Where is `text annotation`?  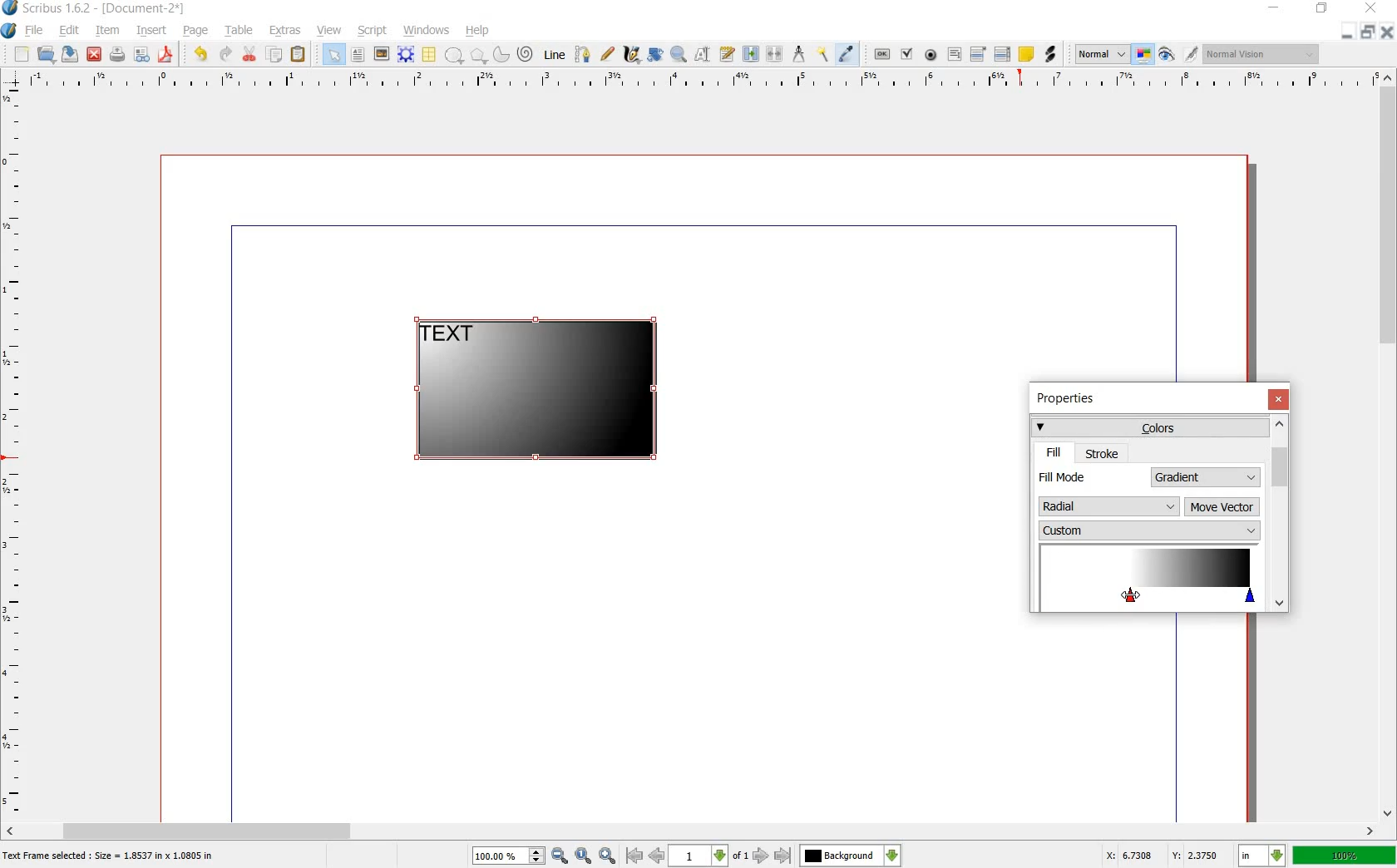
text annotation is located at coordinates (1026, 54).